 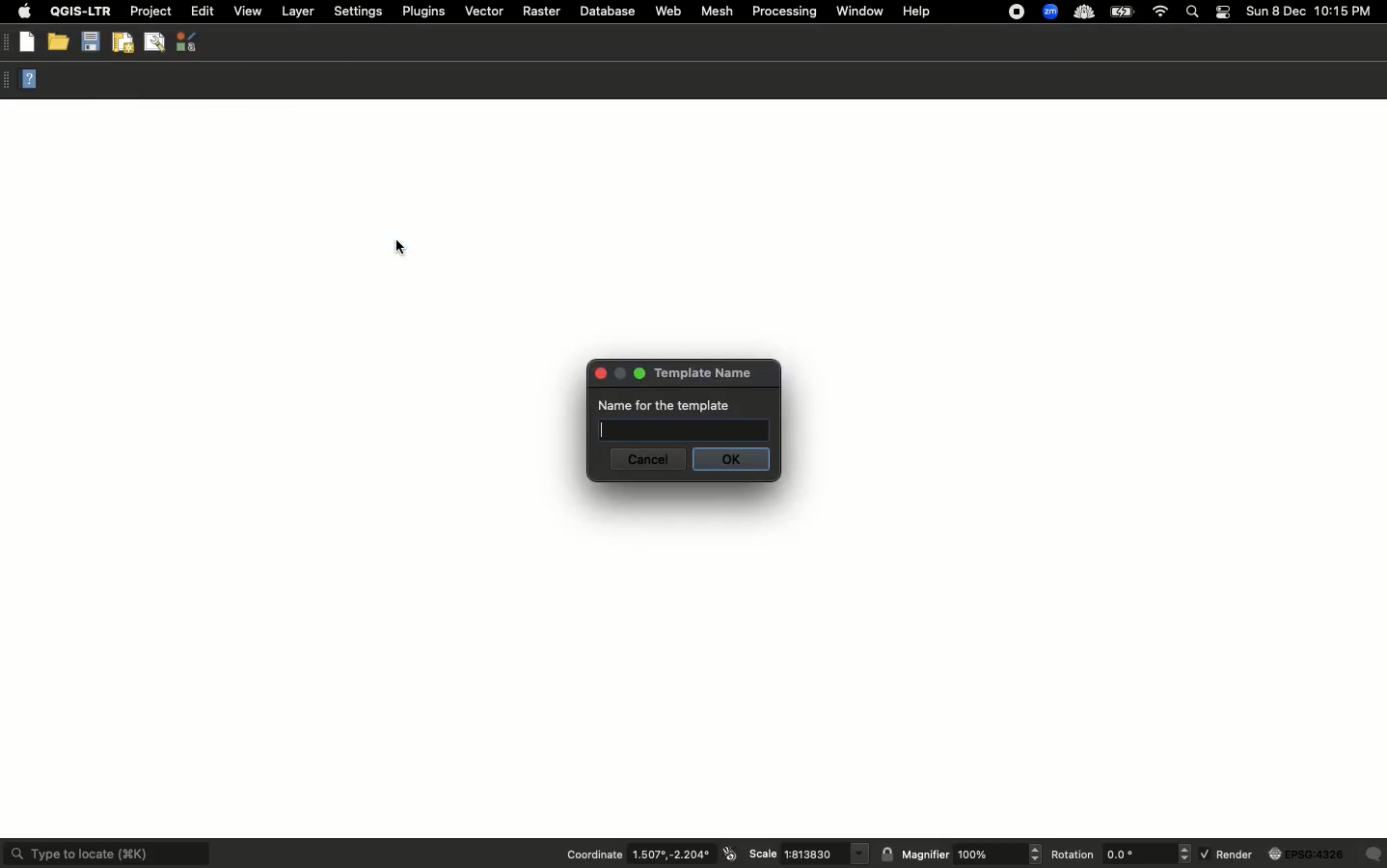 I want to click on text box, so click(x=684, y=432).